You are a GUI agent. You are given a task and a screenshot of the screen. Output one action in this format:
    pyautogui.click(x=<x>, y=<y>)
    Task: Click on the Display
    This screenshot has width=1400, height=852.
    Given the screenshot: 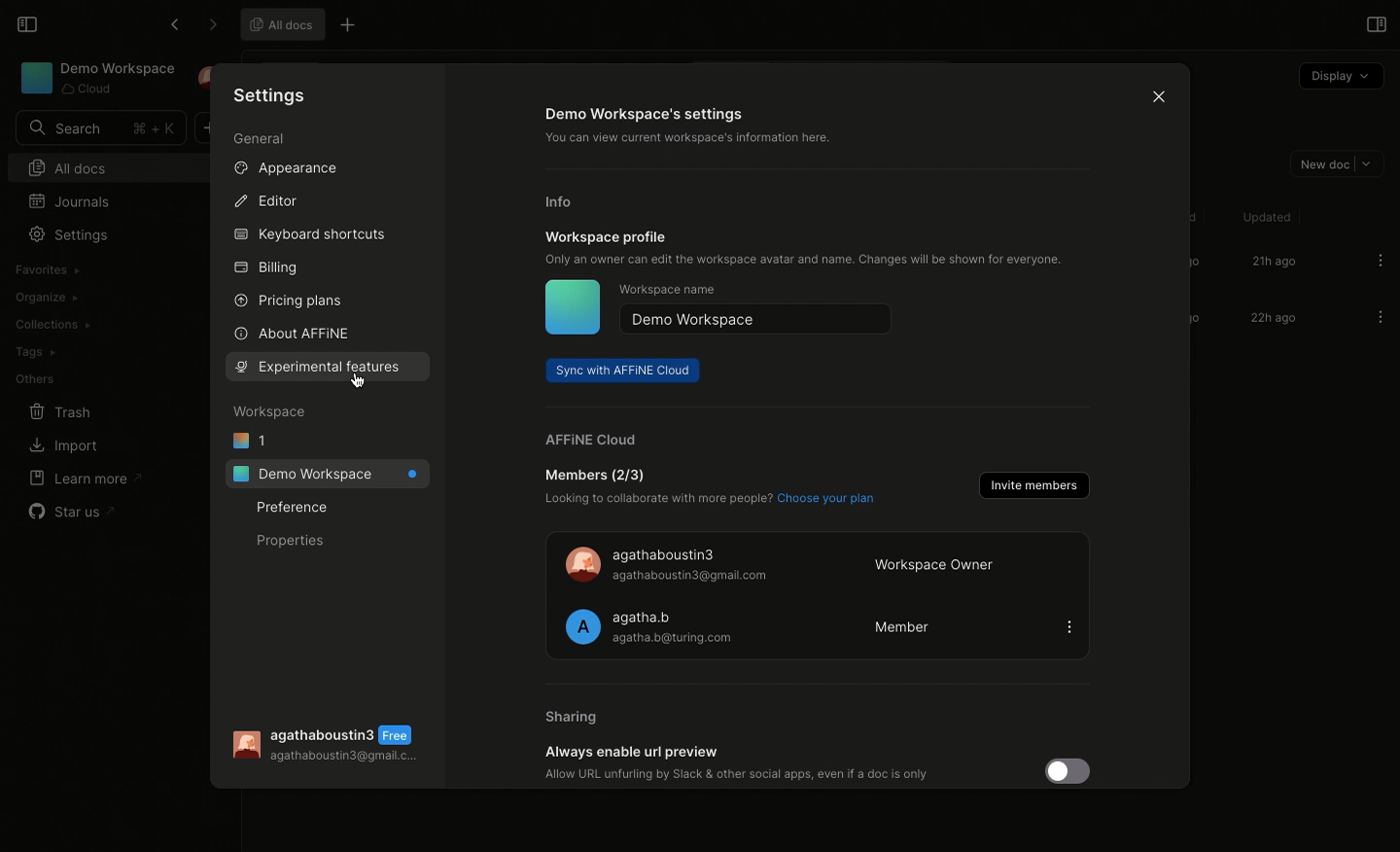 What is the action you would take?
    pyautogui.click(x=1340, y=77)
    